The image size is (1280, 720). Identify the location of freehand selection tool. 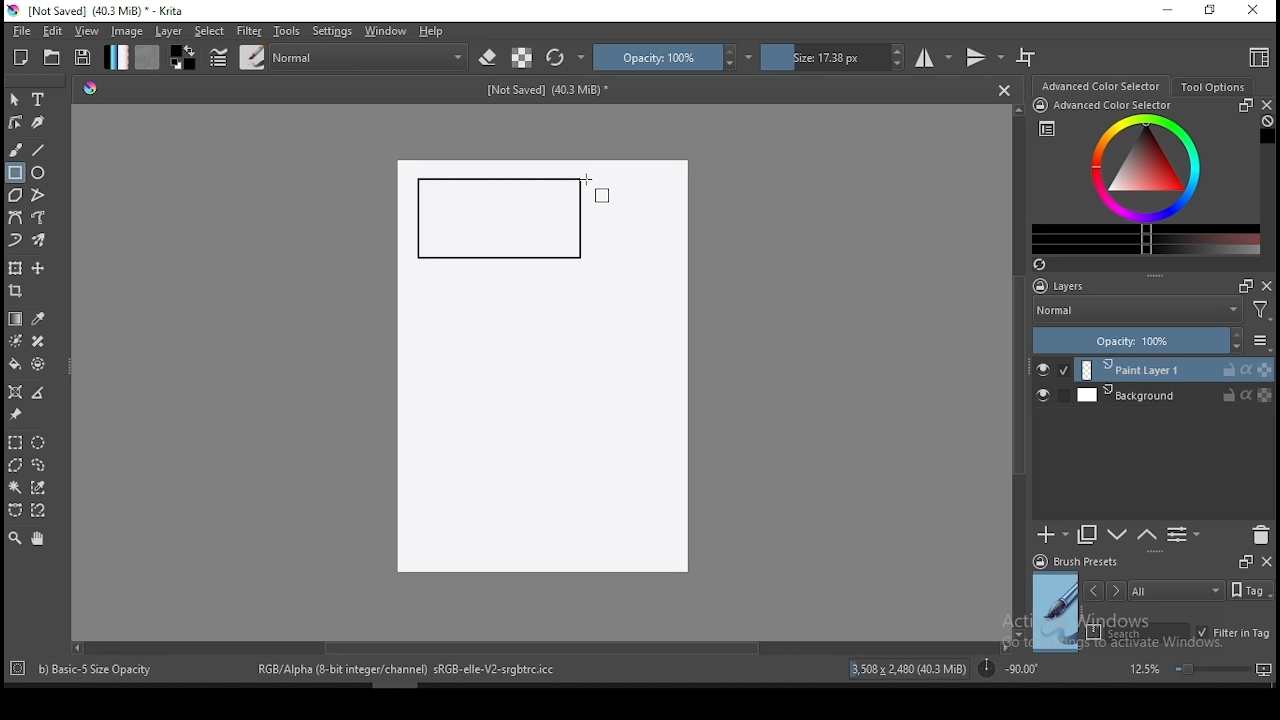
(39, 465).